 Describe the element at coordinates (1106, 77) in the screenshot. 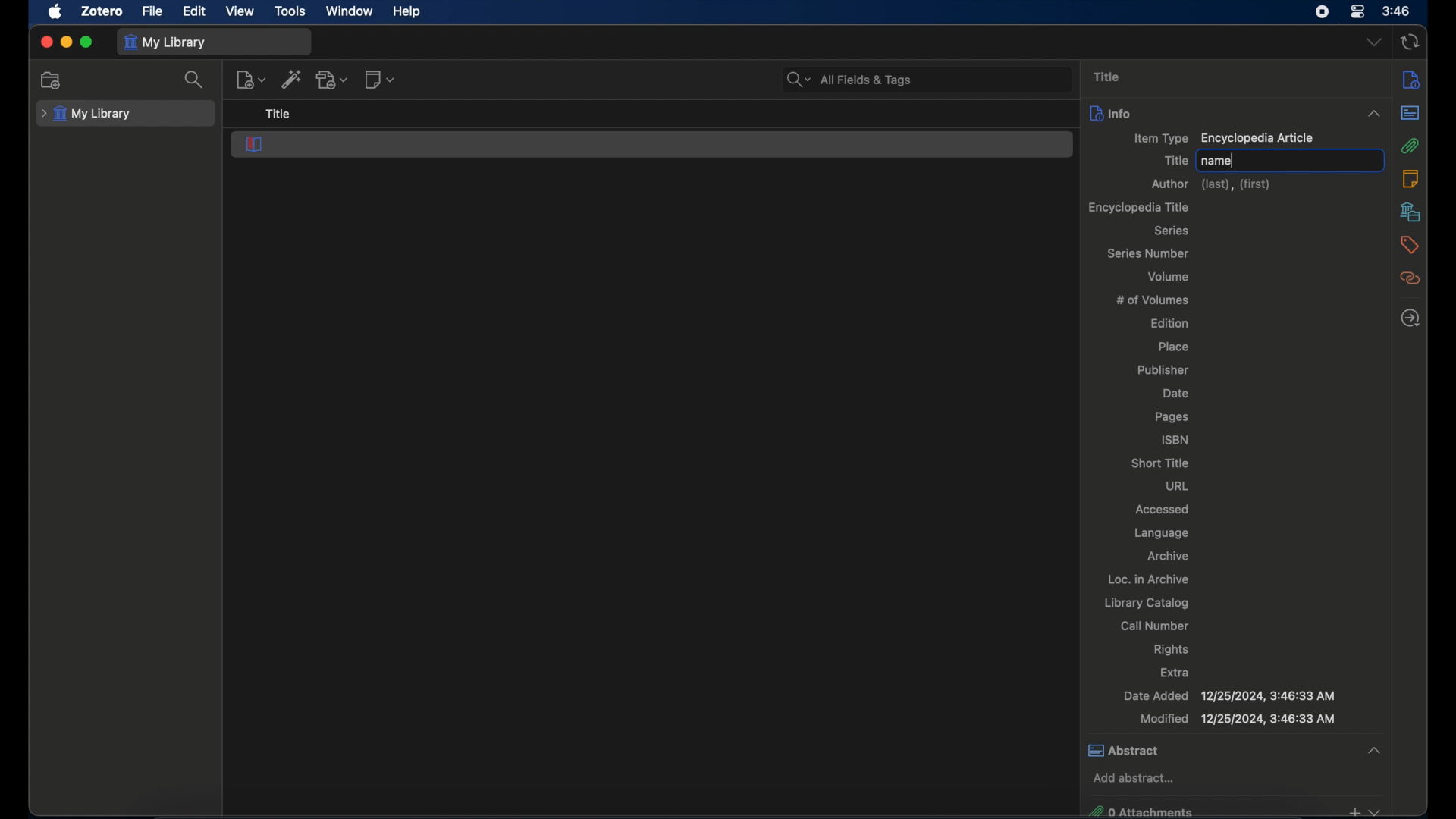

I see `title` at that location.